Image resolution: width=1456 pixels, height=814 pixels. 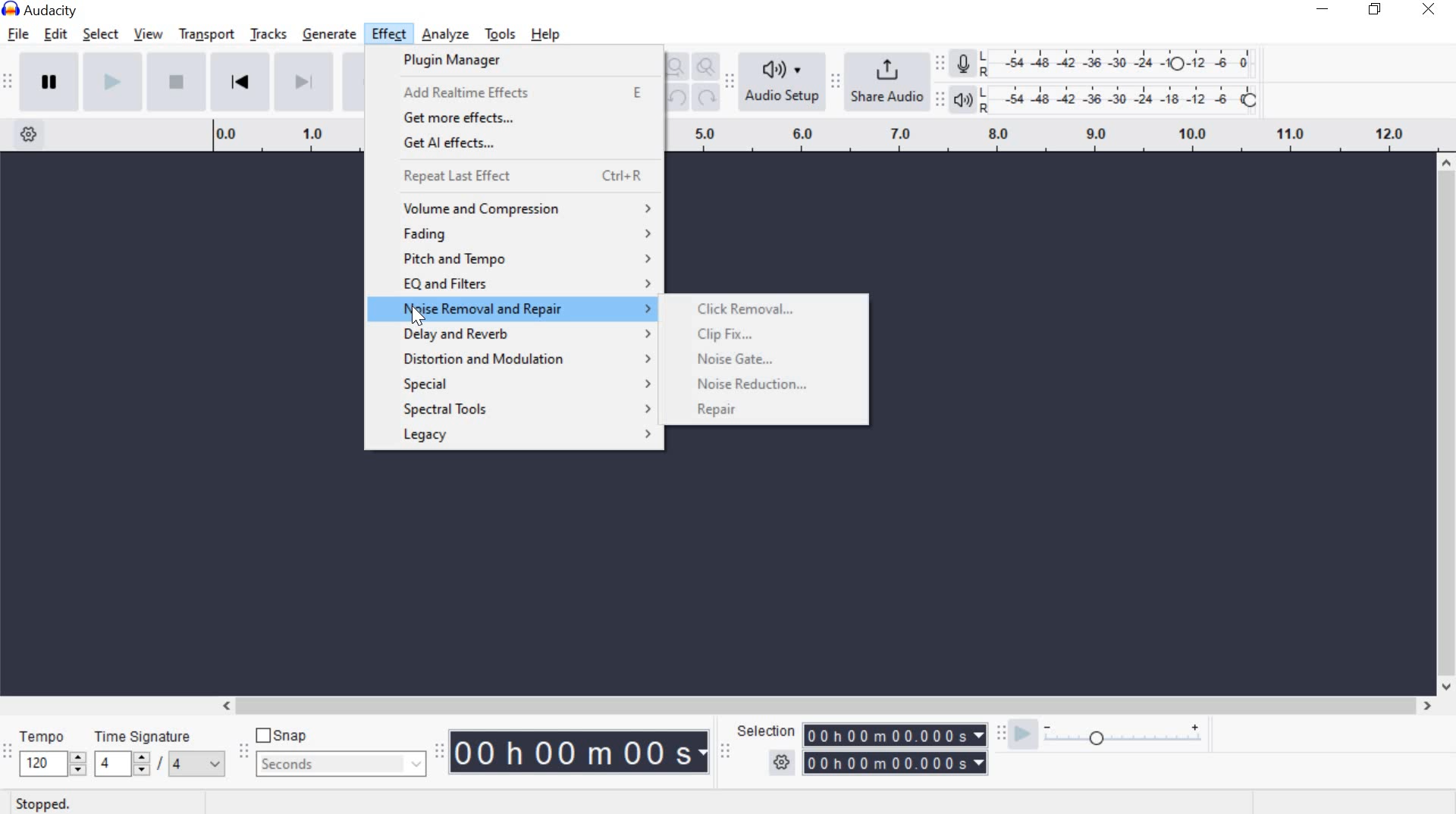 I want to click on selection time, so click(x=897, y=763).